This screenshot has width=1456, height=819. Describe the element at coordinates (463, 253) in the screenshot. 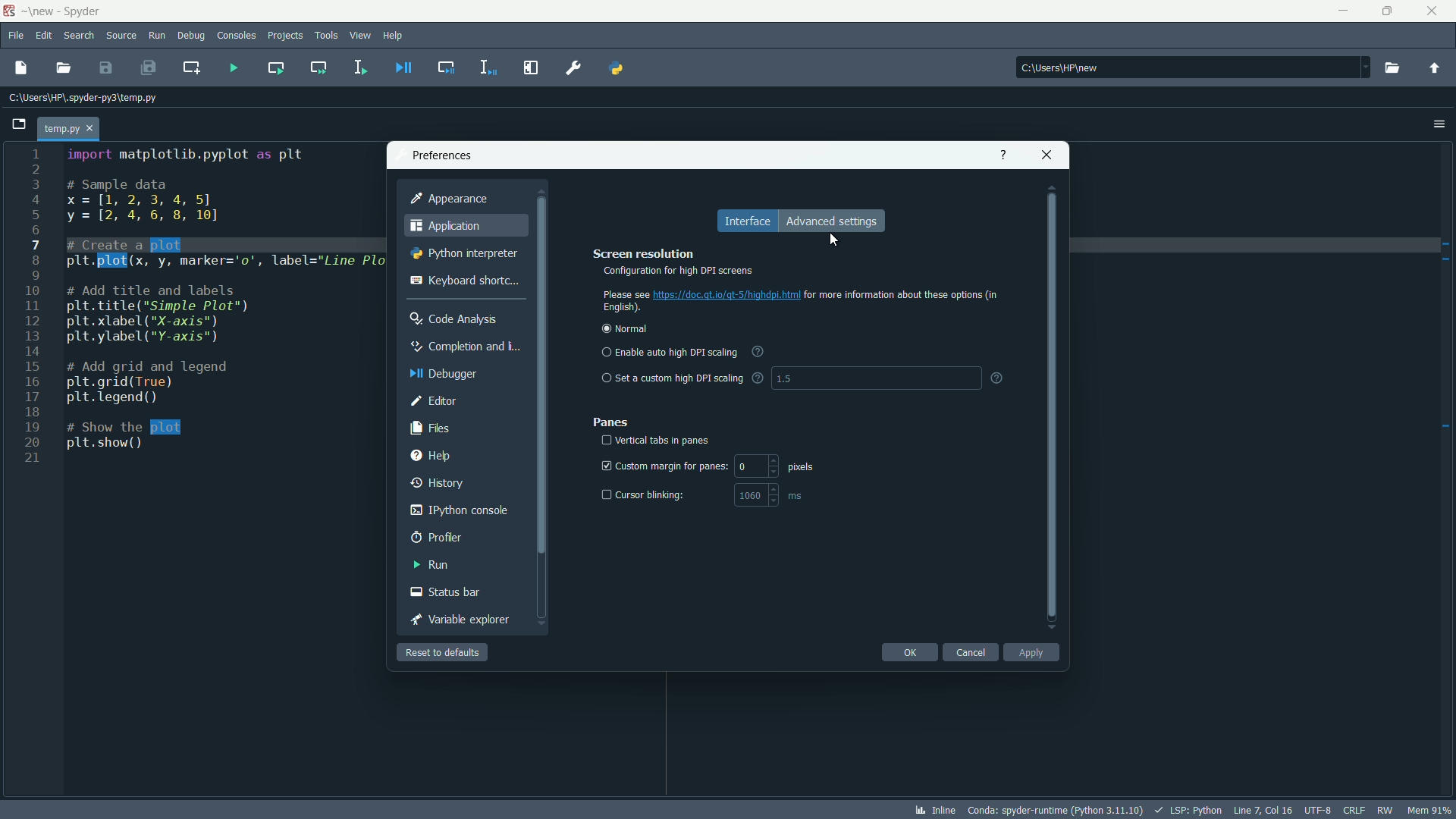

I see `python interpreter` at that location.